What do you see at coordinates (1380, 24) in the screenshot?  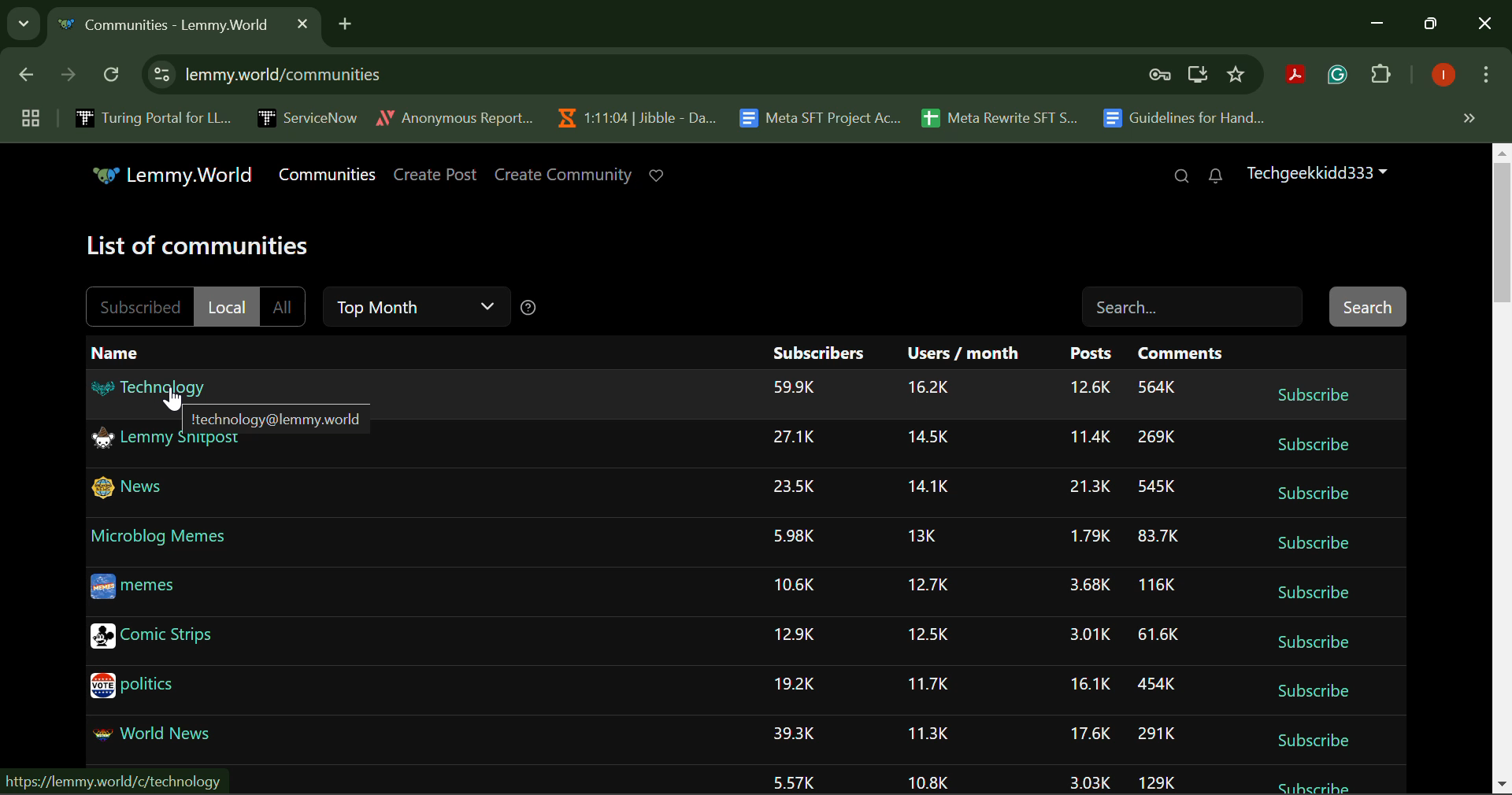 I see `Minimize Down` at bounding box center [1380, 24].